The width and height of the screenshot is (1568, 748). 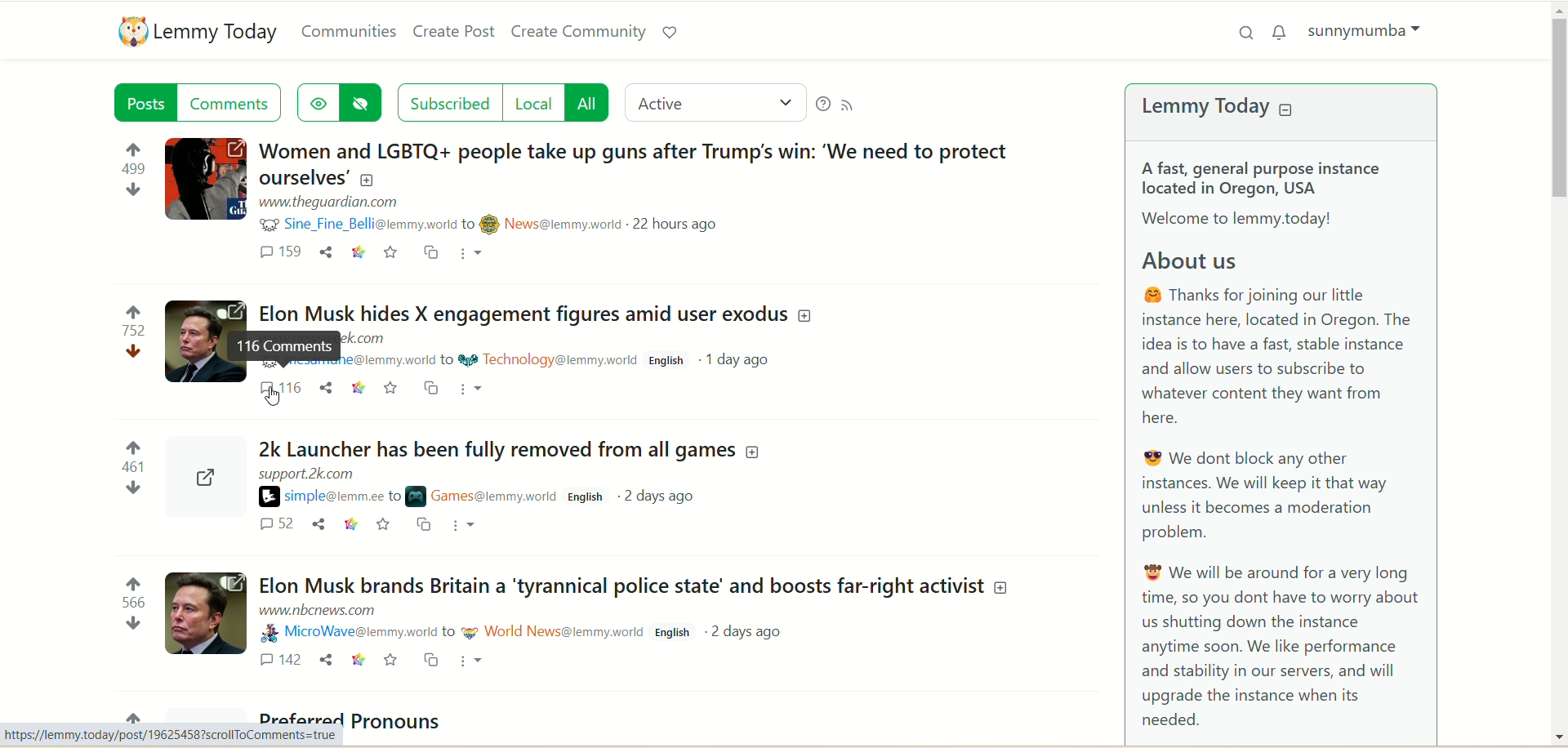 I want to click on local, so click(x=536, y=103).